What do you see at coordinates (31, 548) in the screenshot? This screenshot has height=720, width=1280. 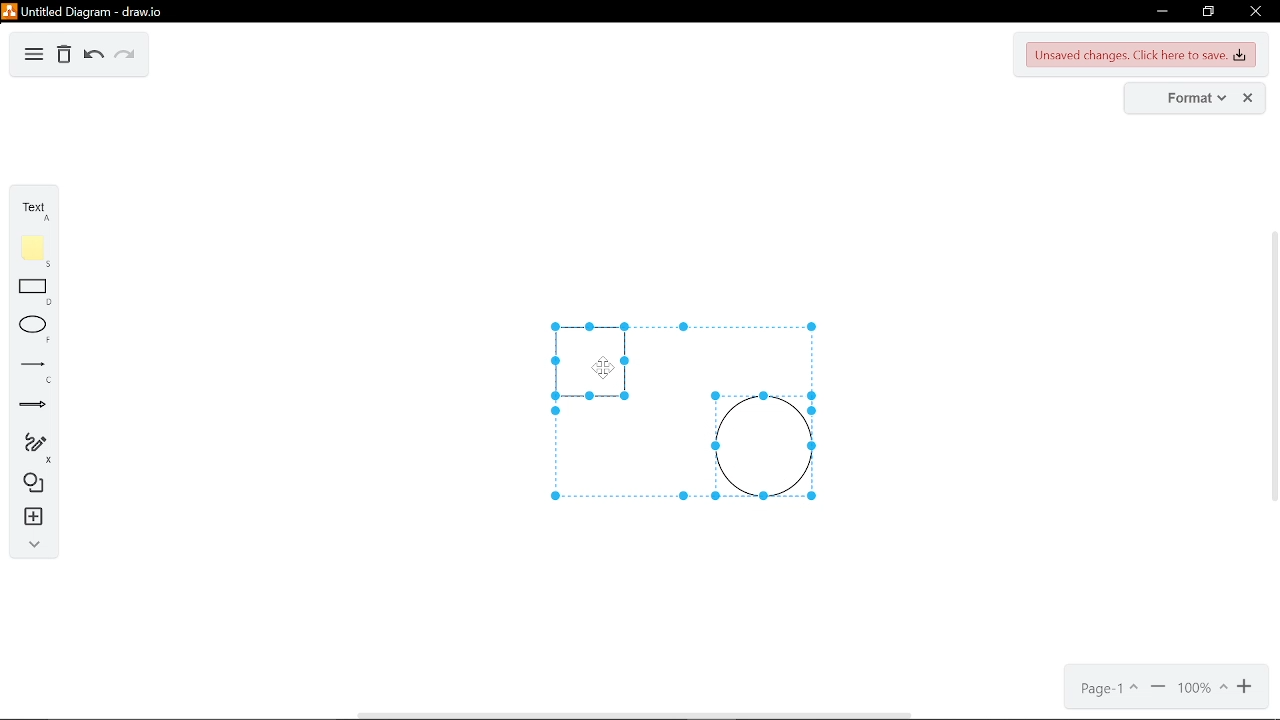 I see `collapse` at bounding box center [31, 548].